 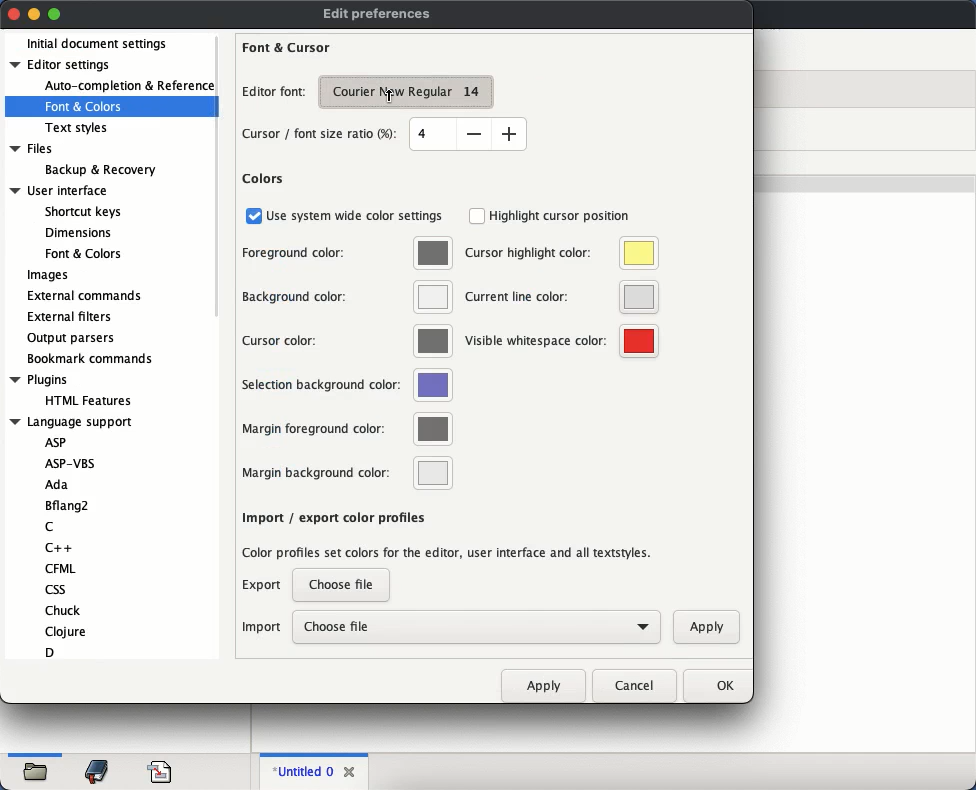 I want to click on bookmark command, so click(x=87, y=360).